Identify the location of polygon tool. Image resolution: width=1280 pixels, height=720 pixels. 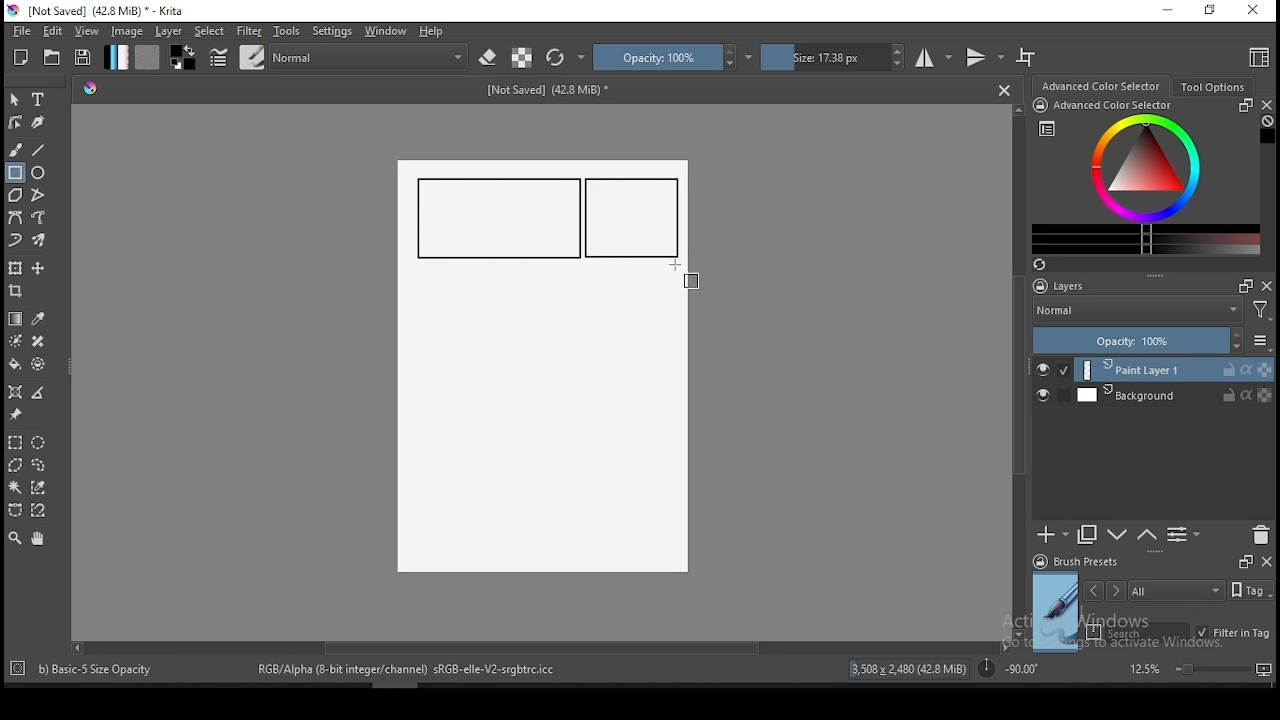
(14, 195).